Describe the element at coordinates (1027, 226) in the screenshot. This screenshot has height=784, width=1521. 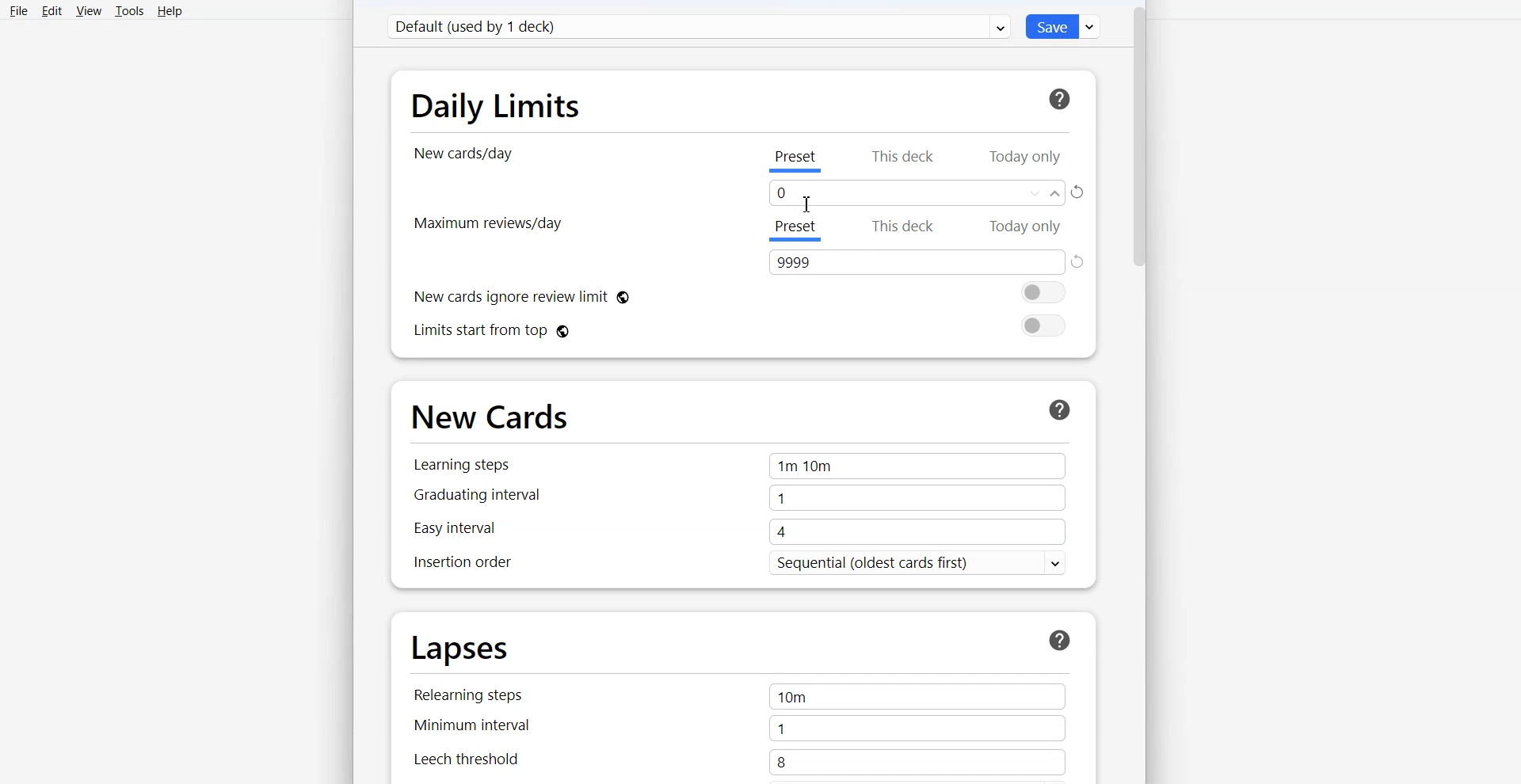
I see `Today only` at that location.